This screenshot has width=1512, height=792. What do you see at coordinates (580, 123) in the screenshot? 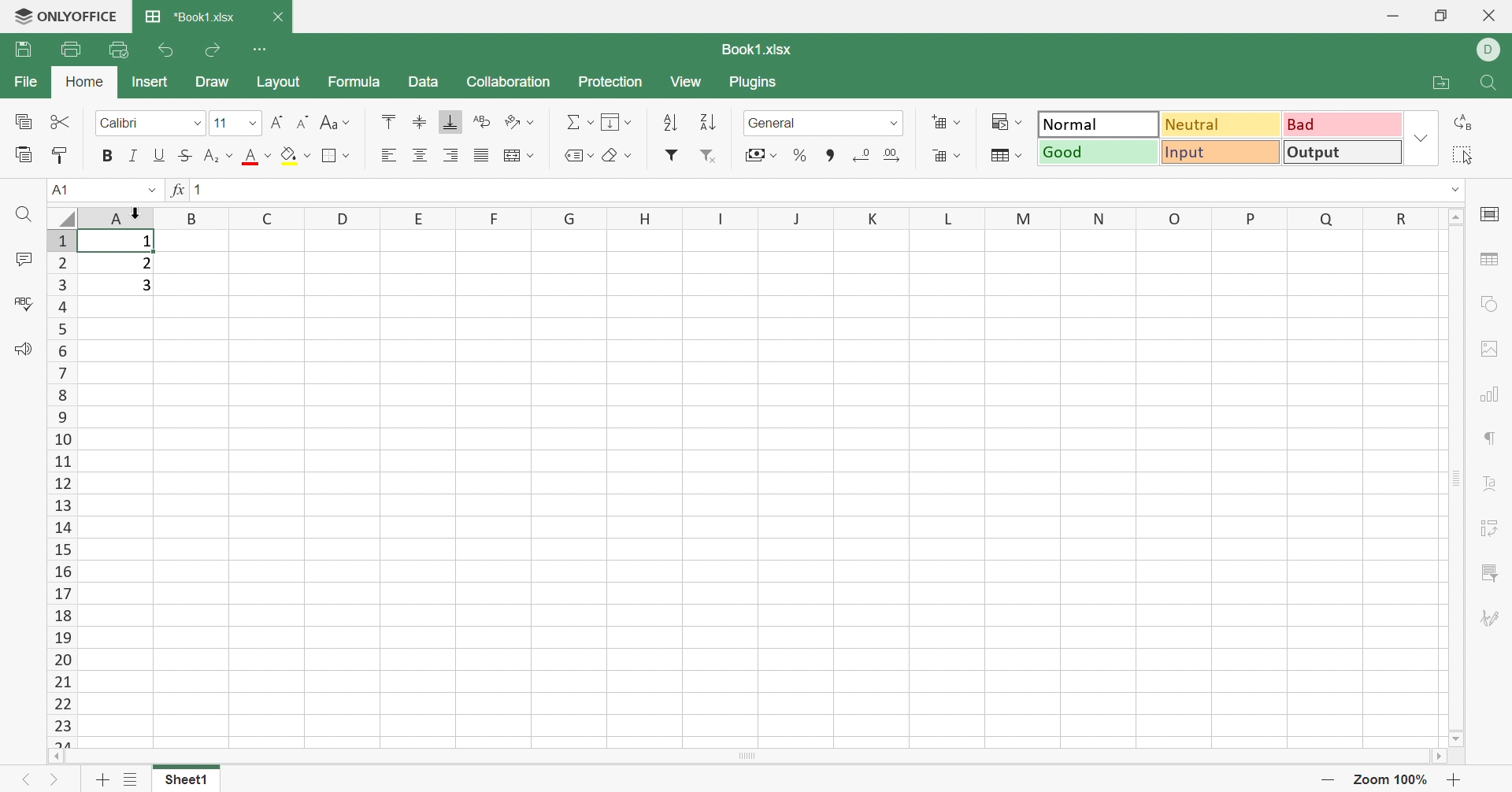
I see `Summation` at bounding box center [580, 123].